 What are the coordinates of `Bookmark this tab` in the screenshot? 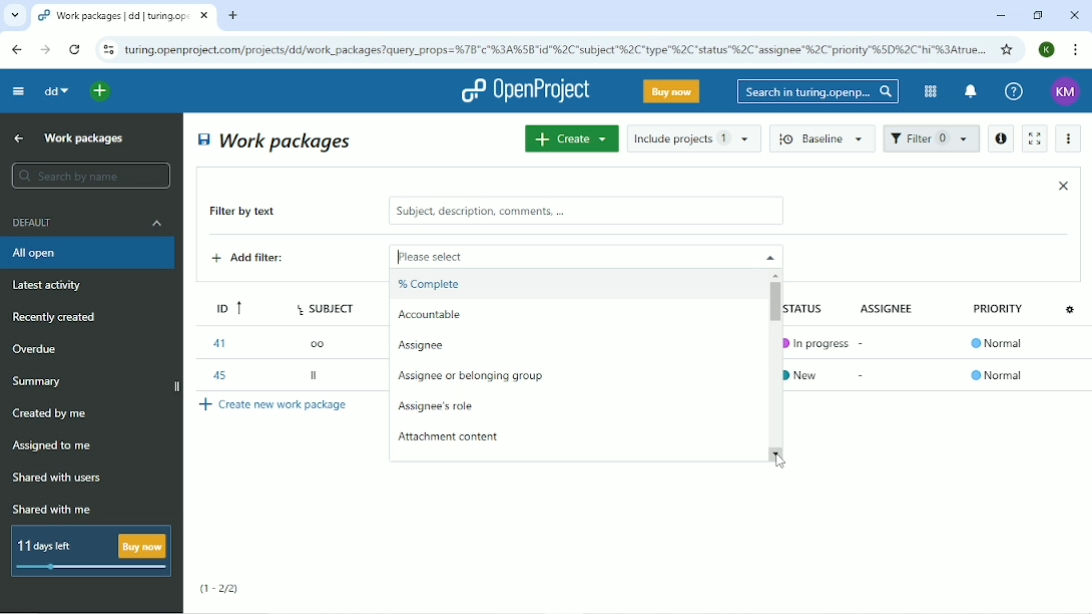 It's located at (1007, 49).